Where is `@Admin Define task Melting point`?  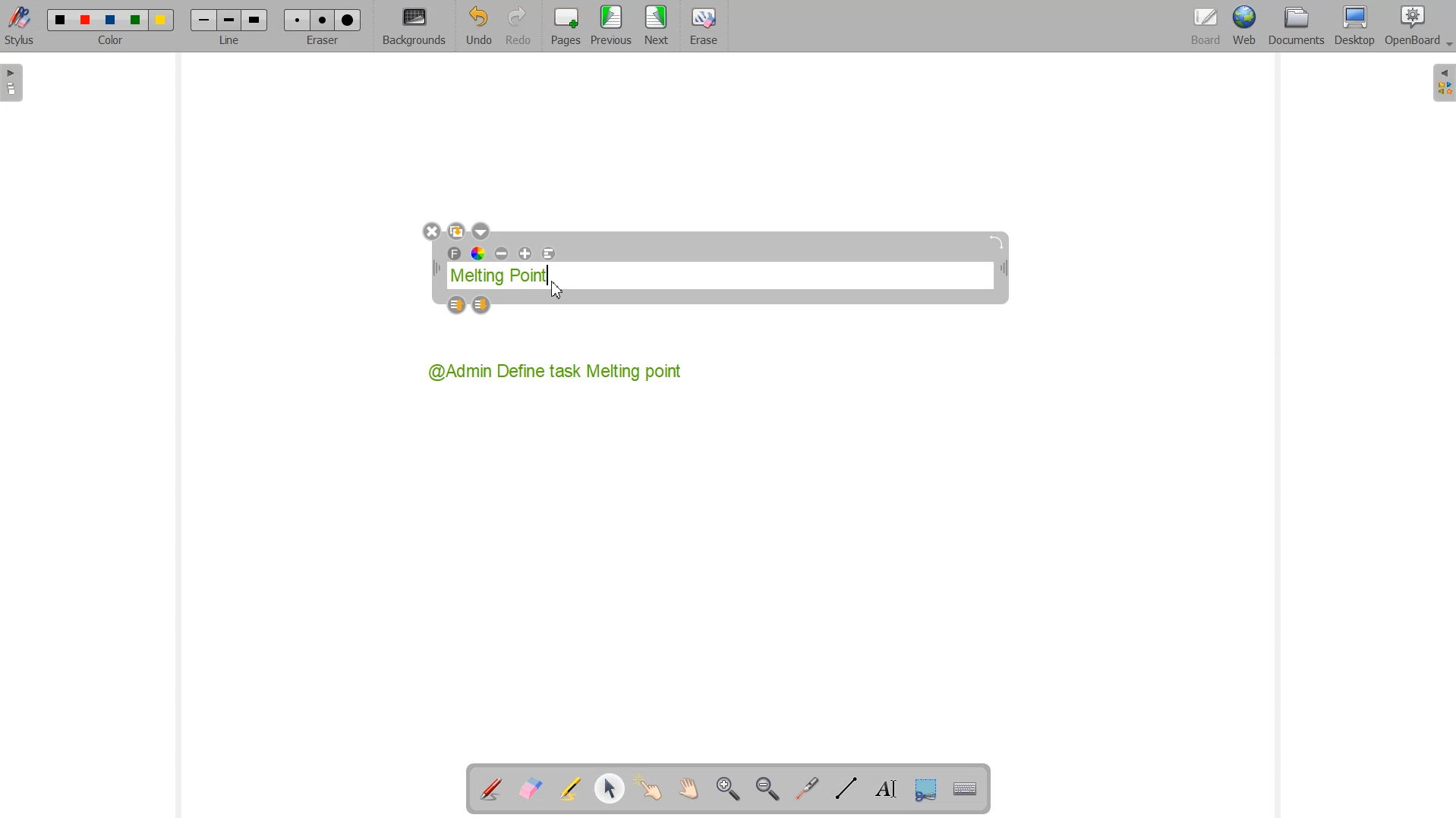
@Admin Define task Melting point is located at coordinates (557, 371).